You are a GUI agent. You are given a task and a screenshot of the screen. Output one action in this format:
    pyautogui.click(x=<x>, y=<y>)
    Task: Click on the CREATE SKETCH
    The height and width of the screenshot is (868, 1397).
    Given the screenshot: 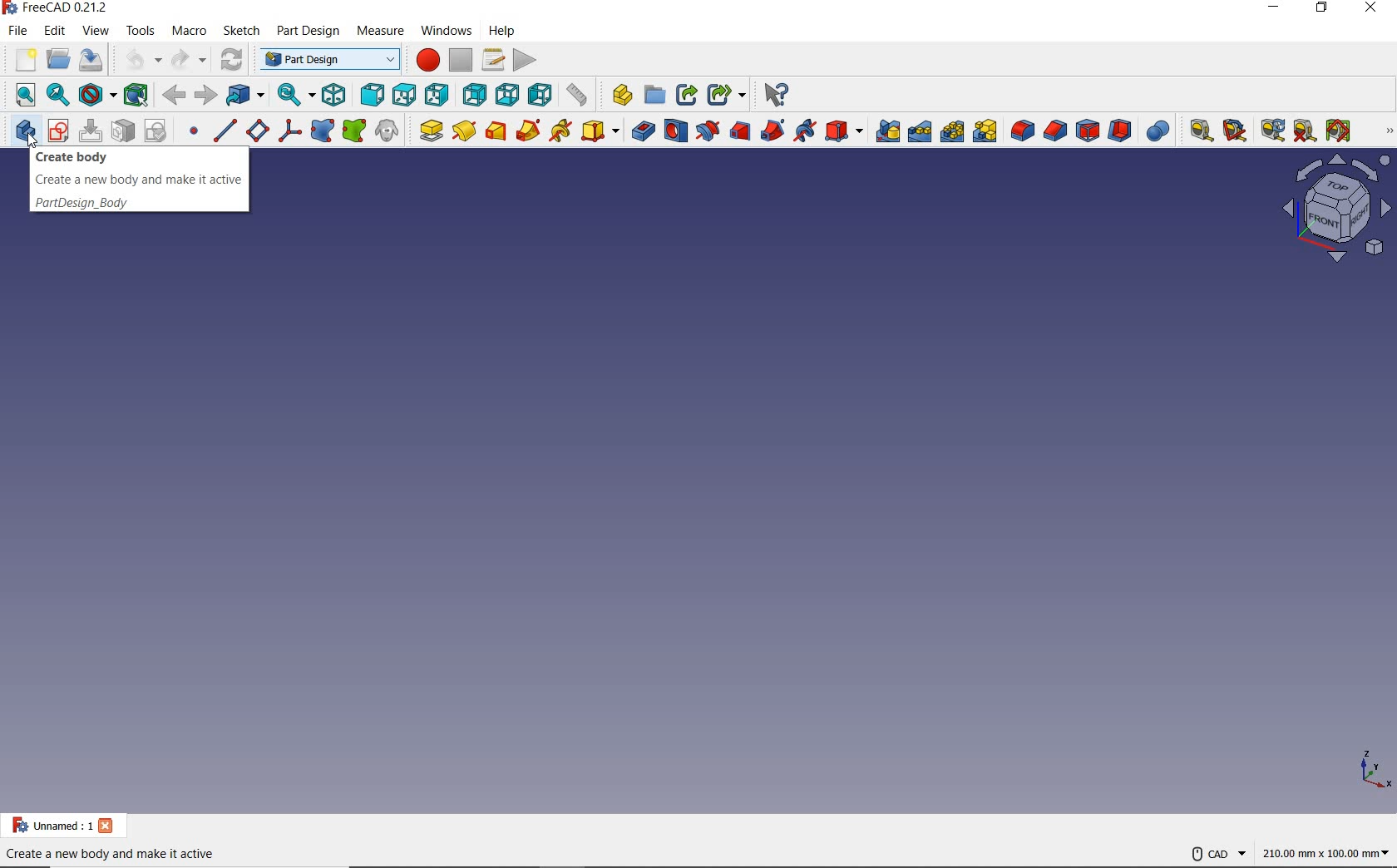 What is the action you would take?
    pyautogui.click(x=57, y=131)
    